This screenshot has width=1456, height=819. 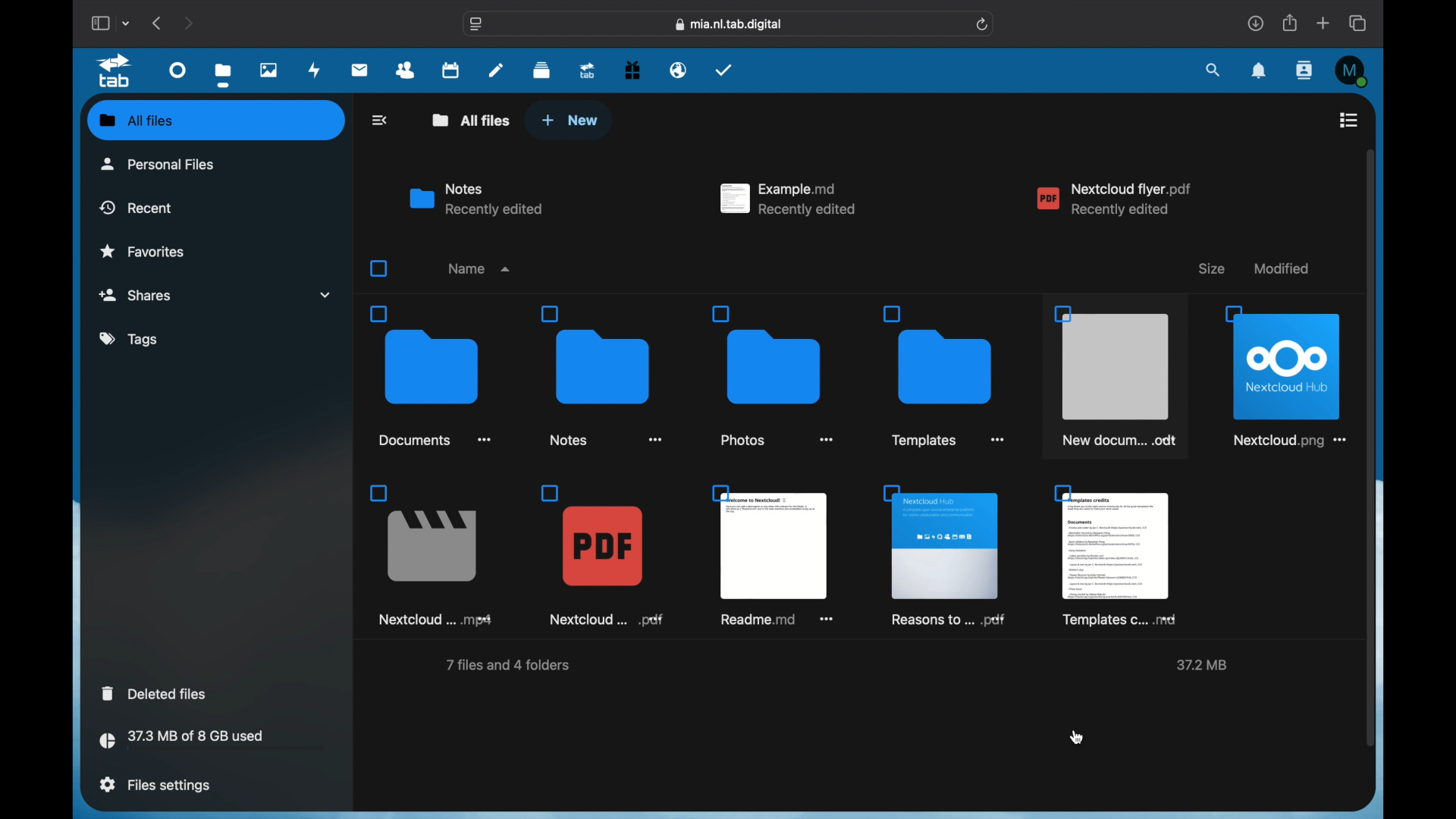 I want to click on modified, so click(x=1285, y=268).